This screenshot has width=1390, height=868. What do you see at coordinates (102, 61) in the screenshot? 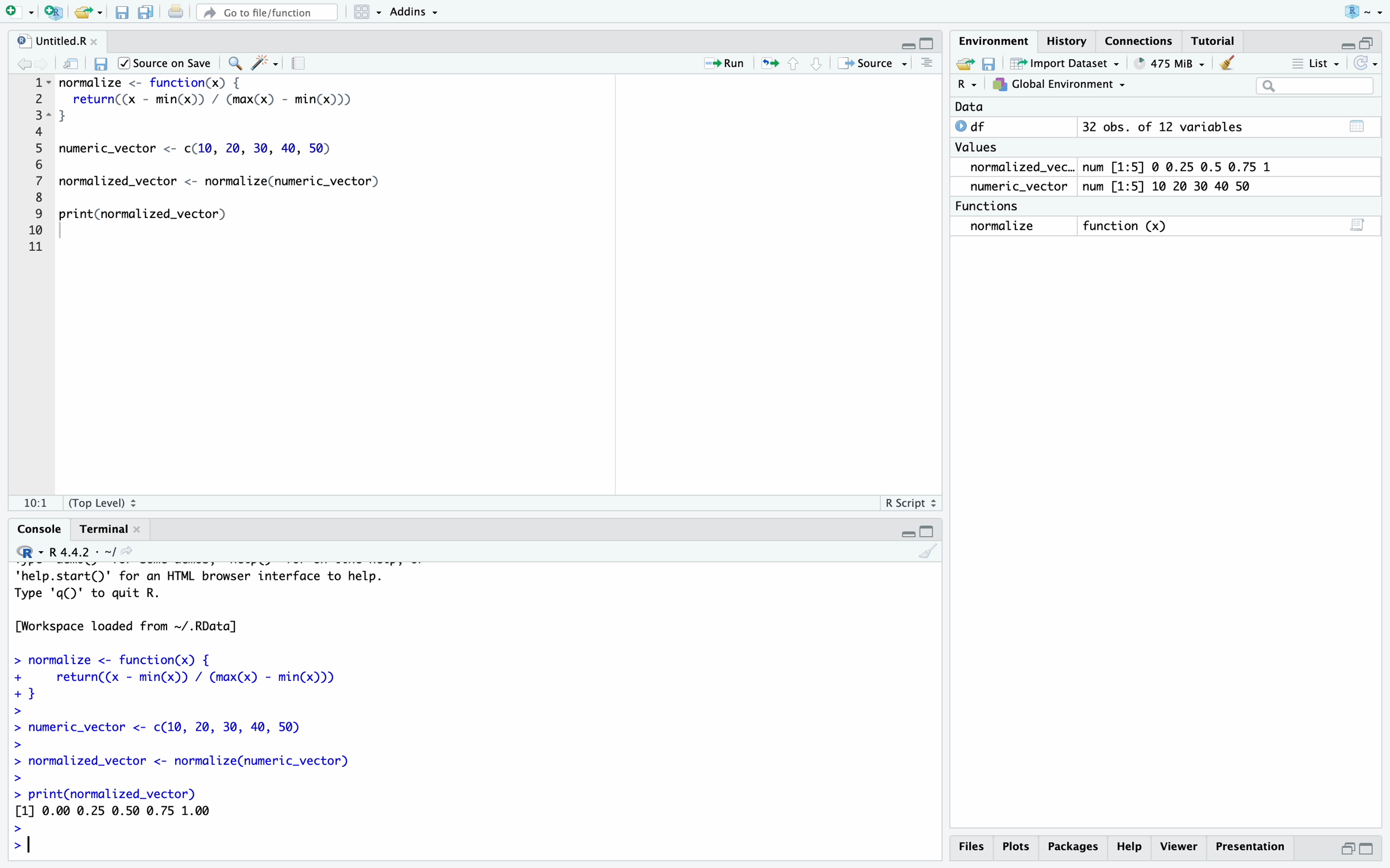
I see `Save current document (Ctrl + S)` at bounding box center [102, 61].